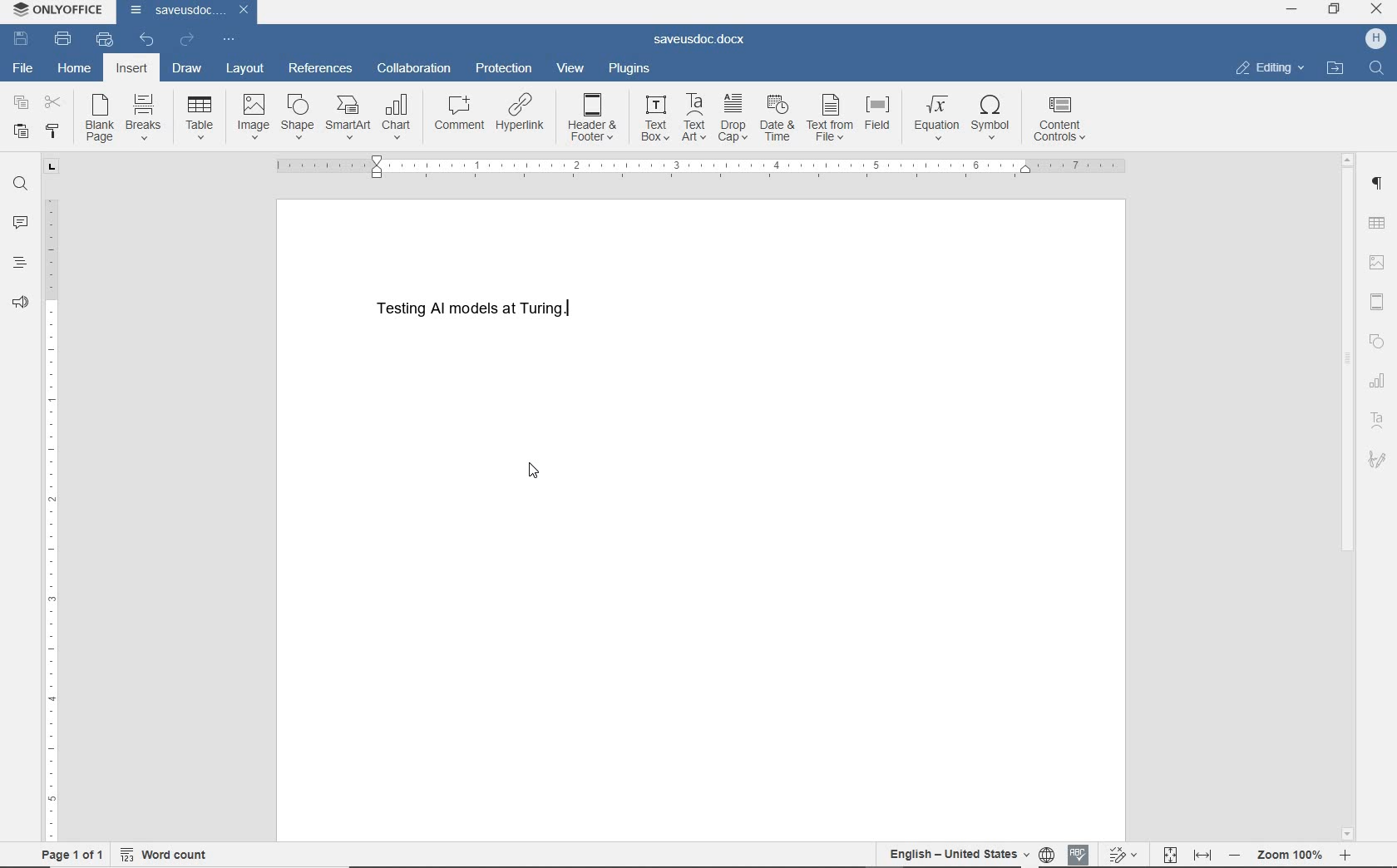  What do you see at coordinates (68, 857) in the screenshot?
I see `page 1 of 1` at bounding box center [68, 857].